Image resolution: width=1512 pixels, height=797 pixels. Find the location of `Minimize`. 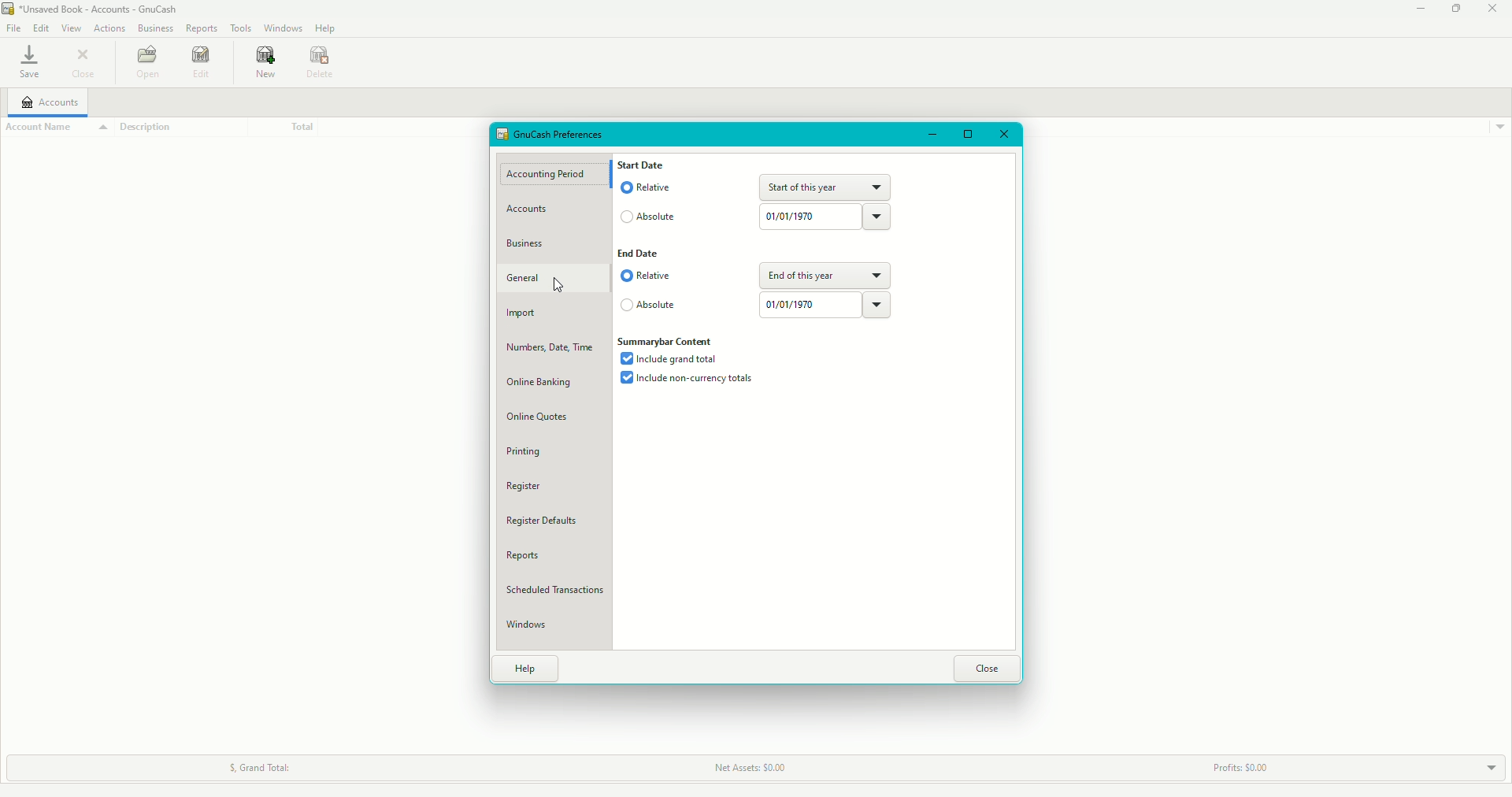

Minimize is located at coordinates (928, 133).